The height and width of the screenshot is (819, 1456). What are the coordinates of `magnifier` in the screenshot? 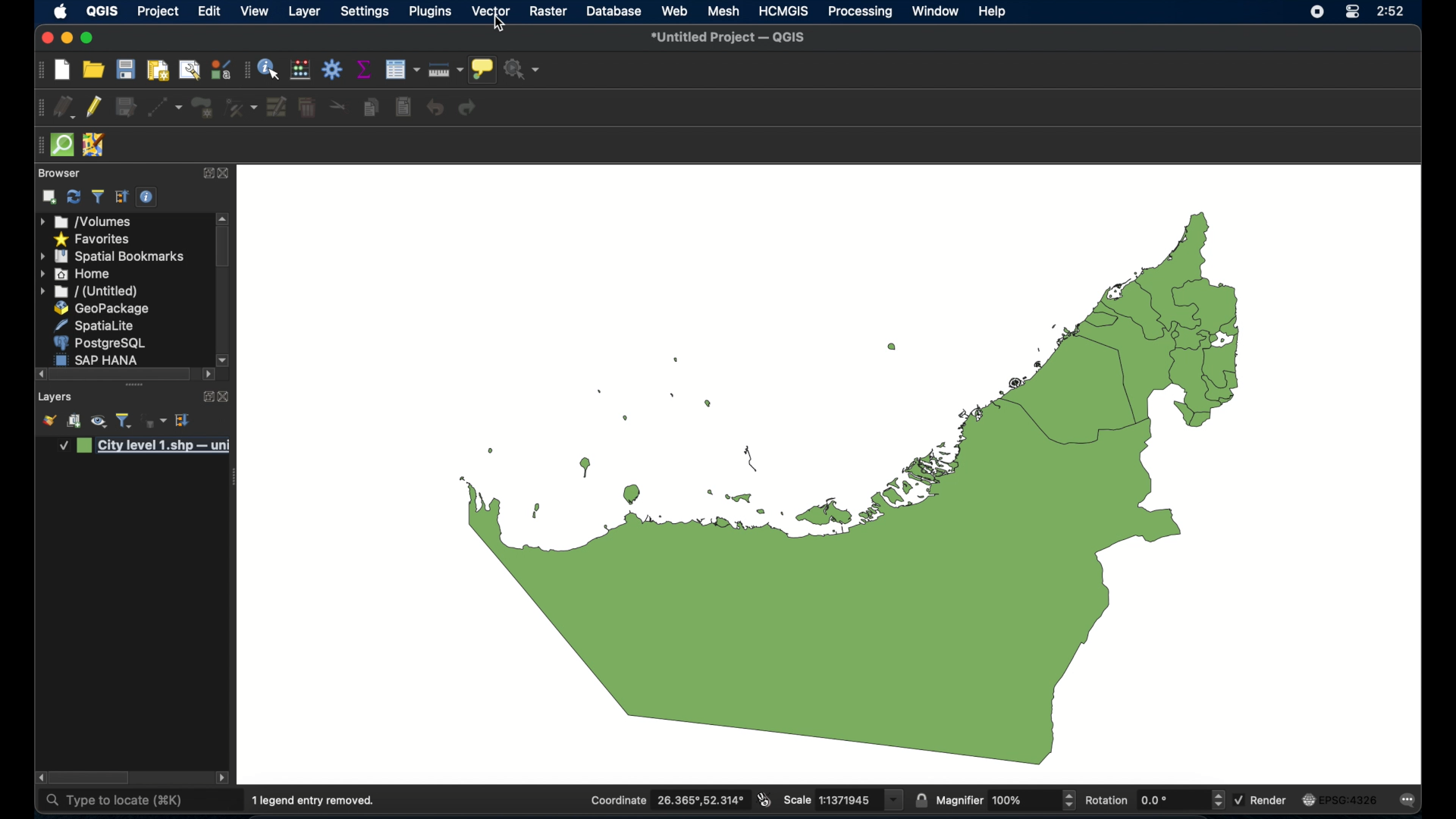 It's located at (1006, 799).